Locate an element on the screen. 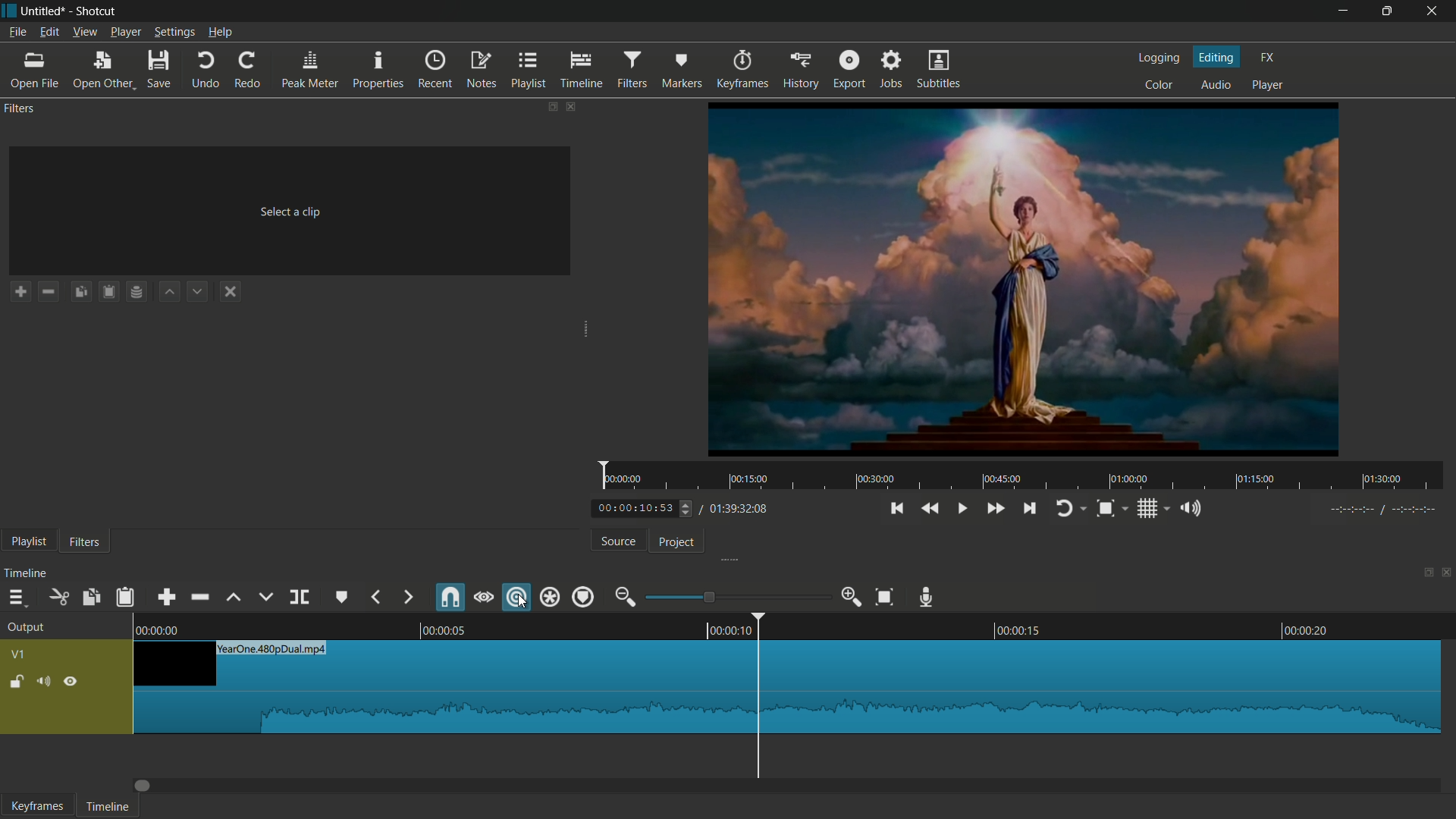  hide is located at coordinates (74, 681).